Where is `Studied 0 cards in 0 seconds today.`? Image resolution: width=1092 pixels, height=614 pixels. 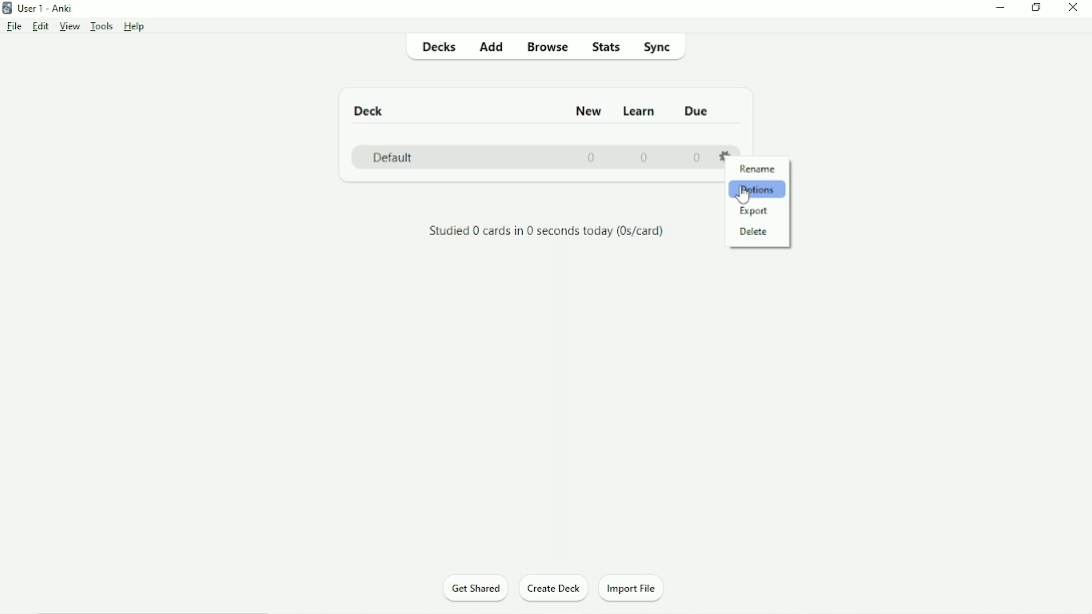 Studied 0 cards in 0 seconds today. is located at coordinates (546, 232).